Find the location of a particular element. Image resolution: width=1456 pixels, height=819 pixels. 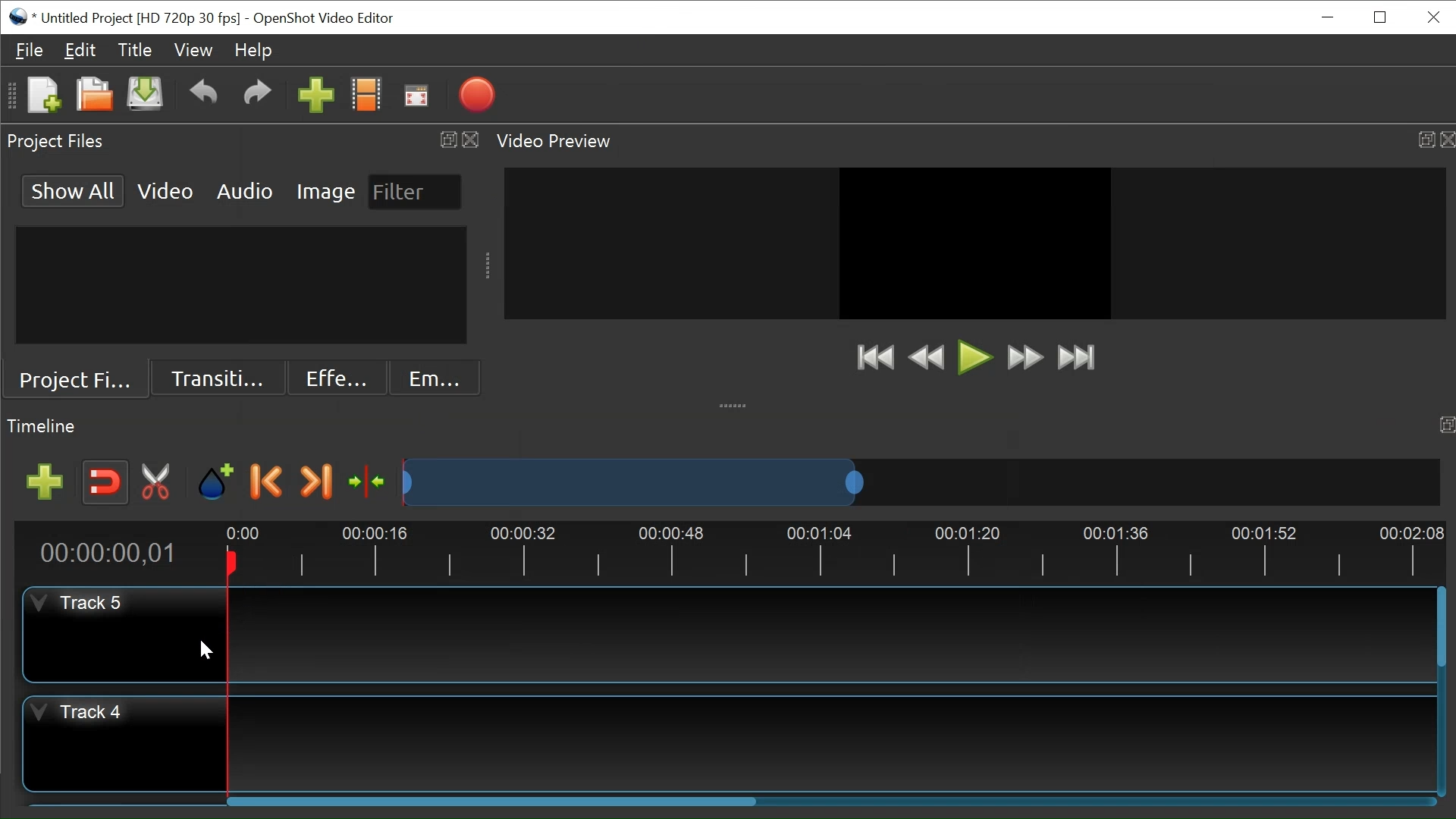

Open File is located at coordinates (92, 96).